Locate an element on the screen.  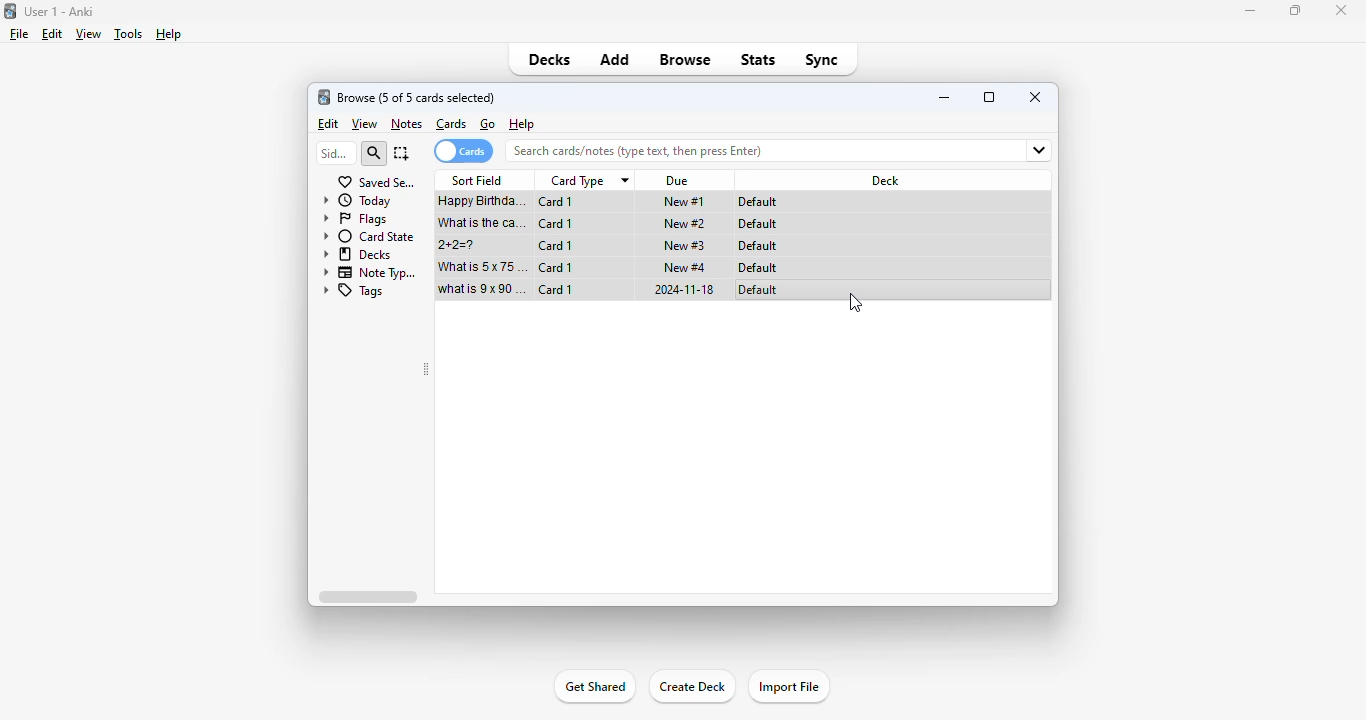
maximize is located at coordinates (989, 96).